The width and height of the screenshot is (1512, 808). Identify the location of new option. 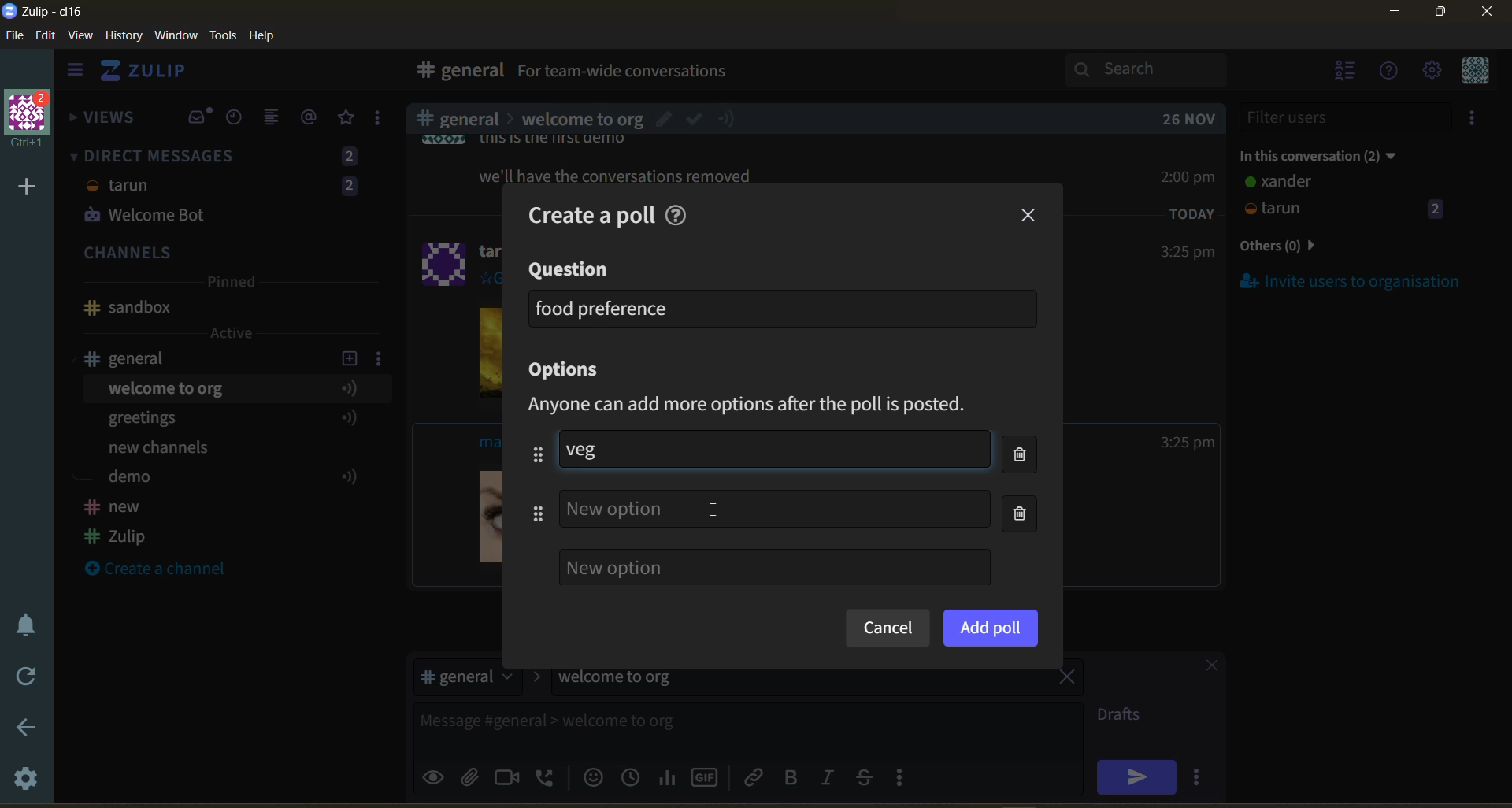
(774, 567).